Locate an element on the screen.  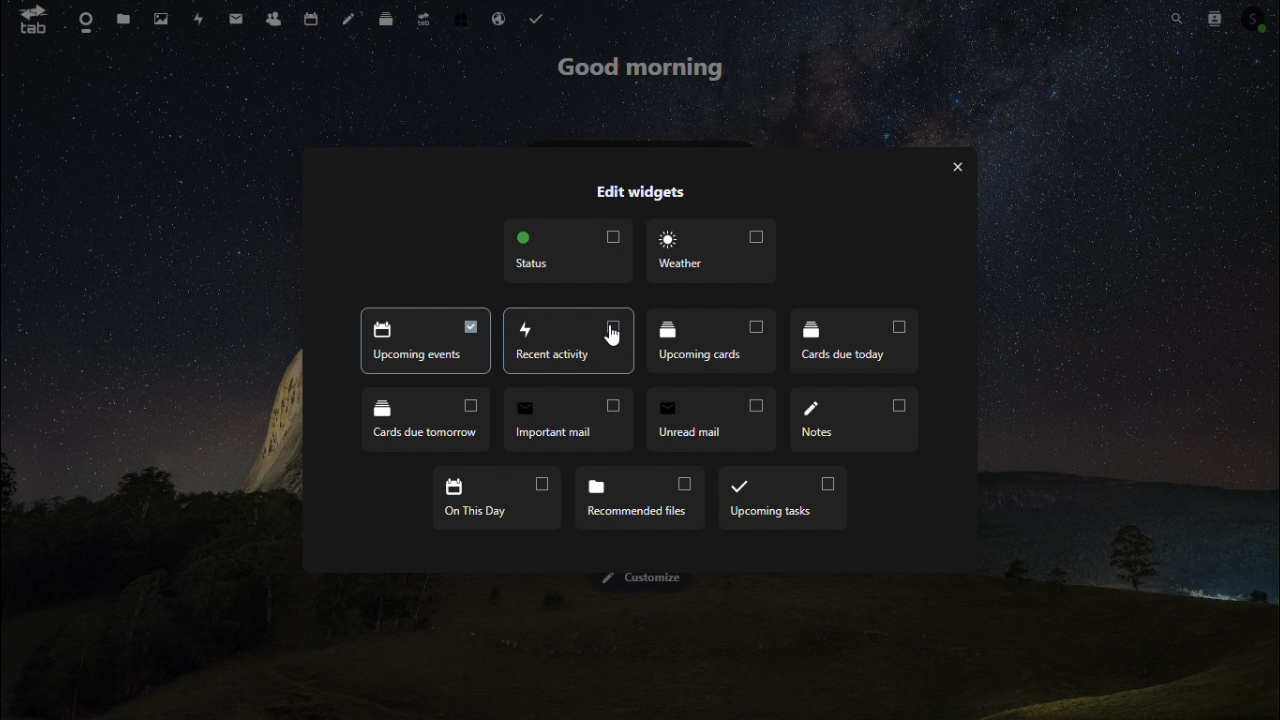
Files is located at coordinates (121, 19).